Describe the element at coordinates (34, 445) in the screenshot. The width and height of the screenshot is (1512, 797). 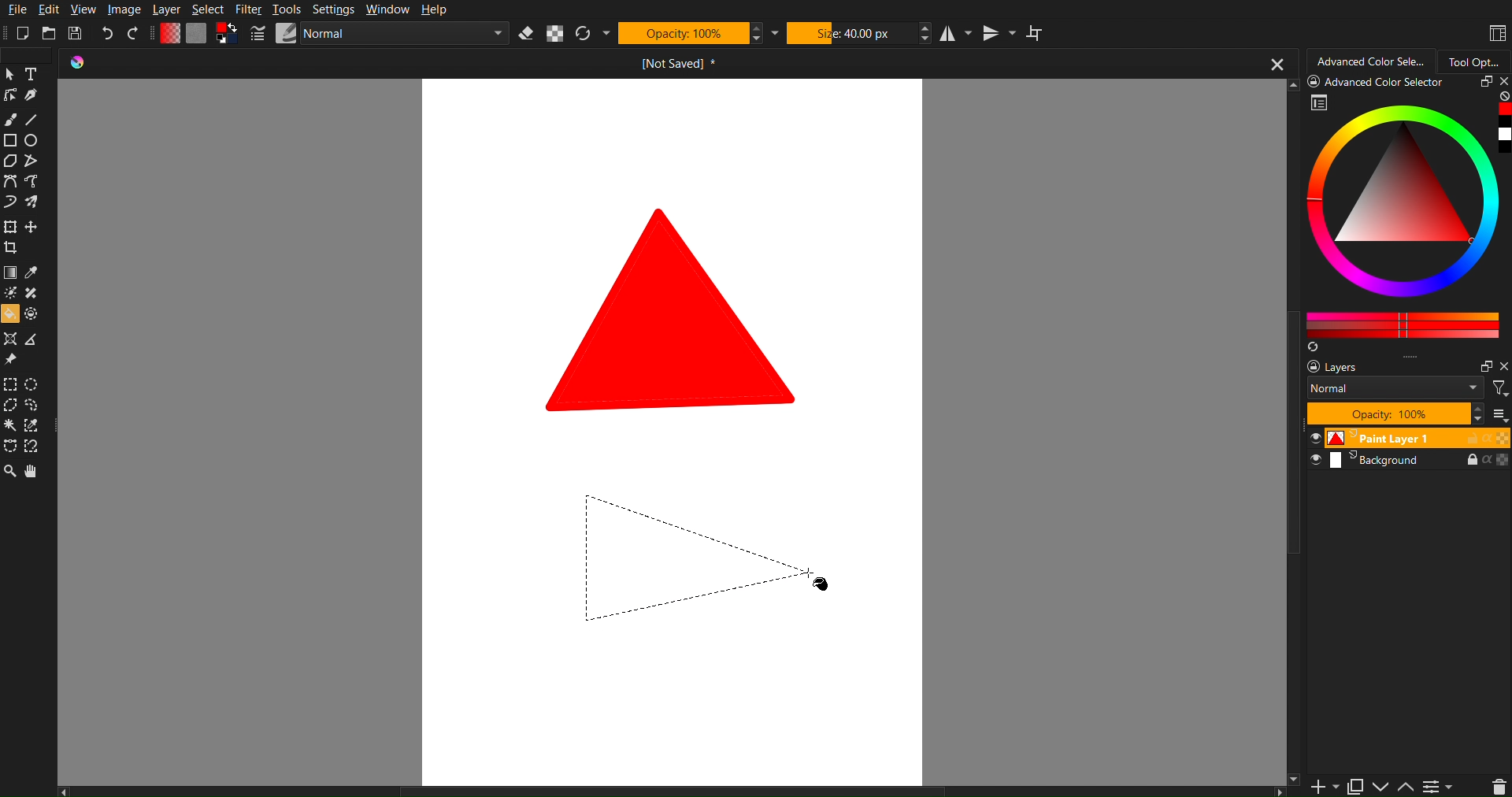
I see `Angle` at that location.